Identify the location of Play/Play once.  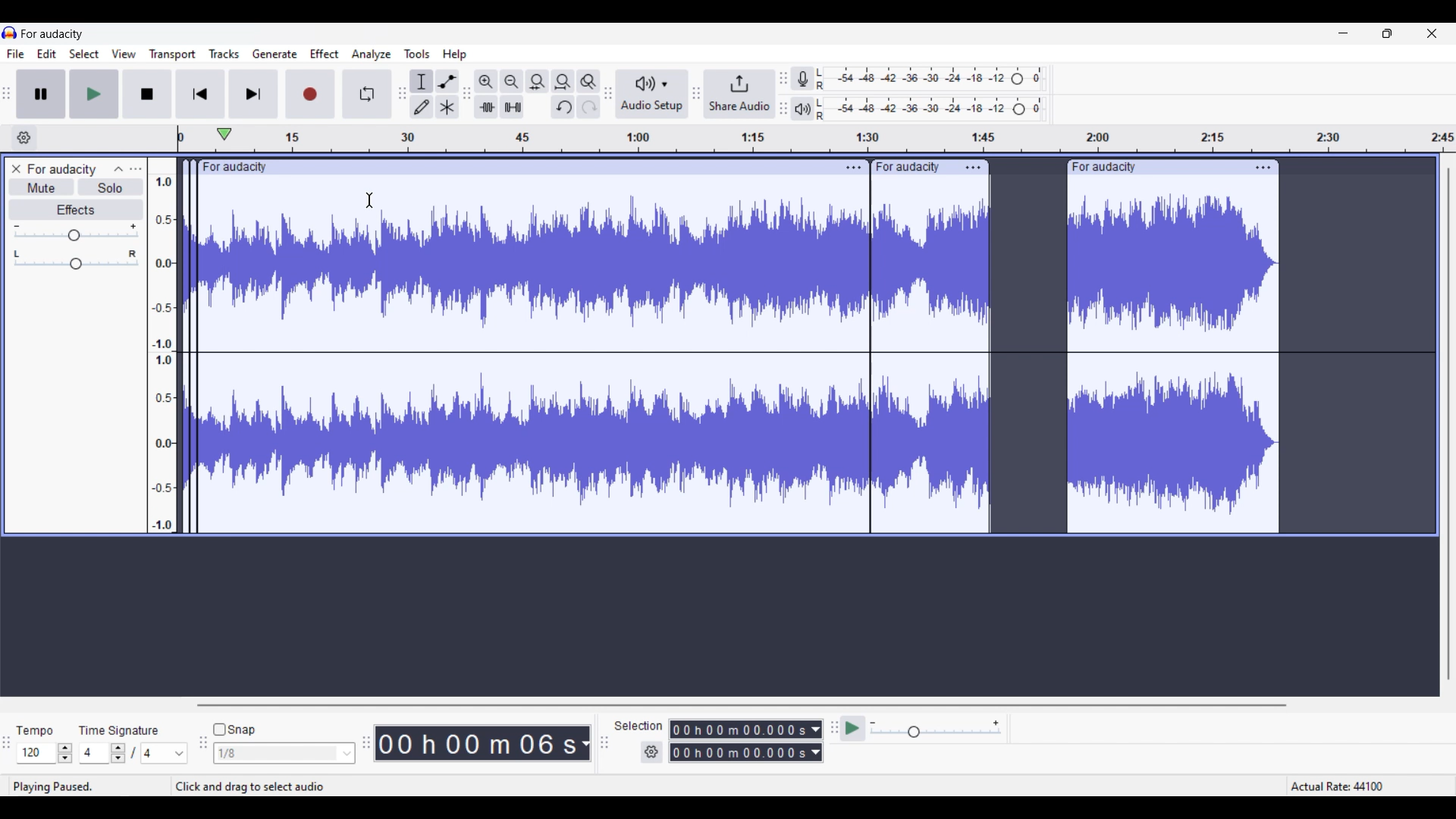
(94, 93).